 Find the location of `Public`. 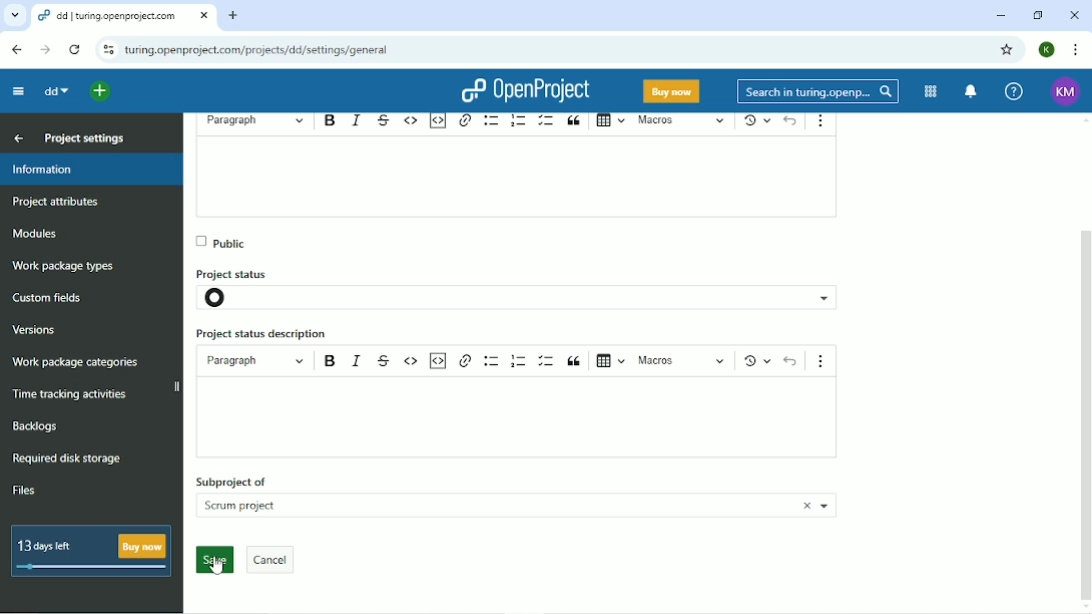

Public is located at coordinates (221, 239).